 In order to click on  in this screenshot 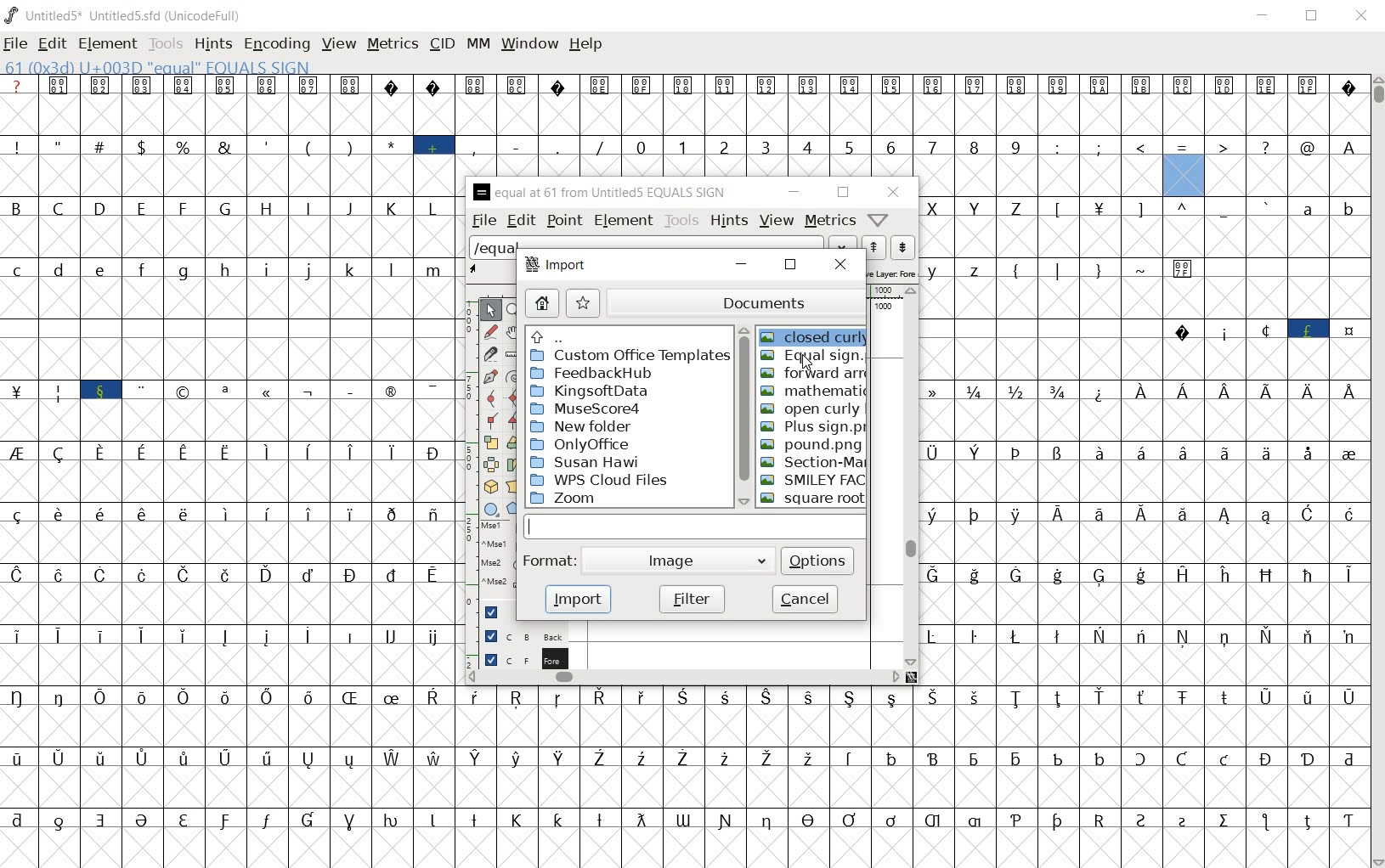, I will do `click(744, 418)`.